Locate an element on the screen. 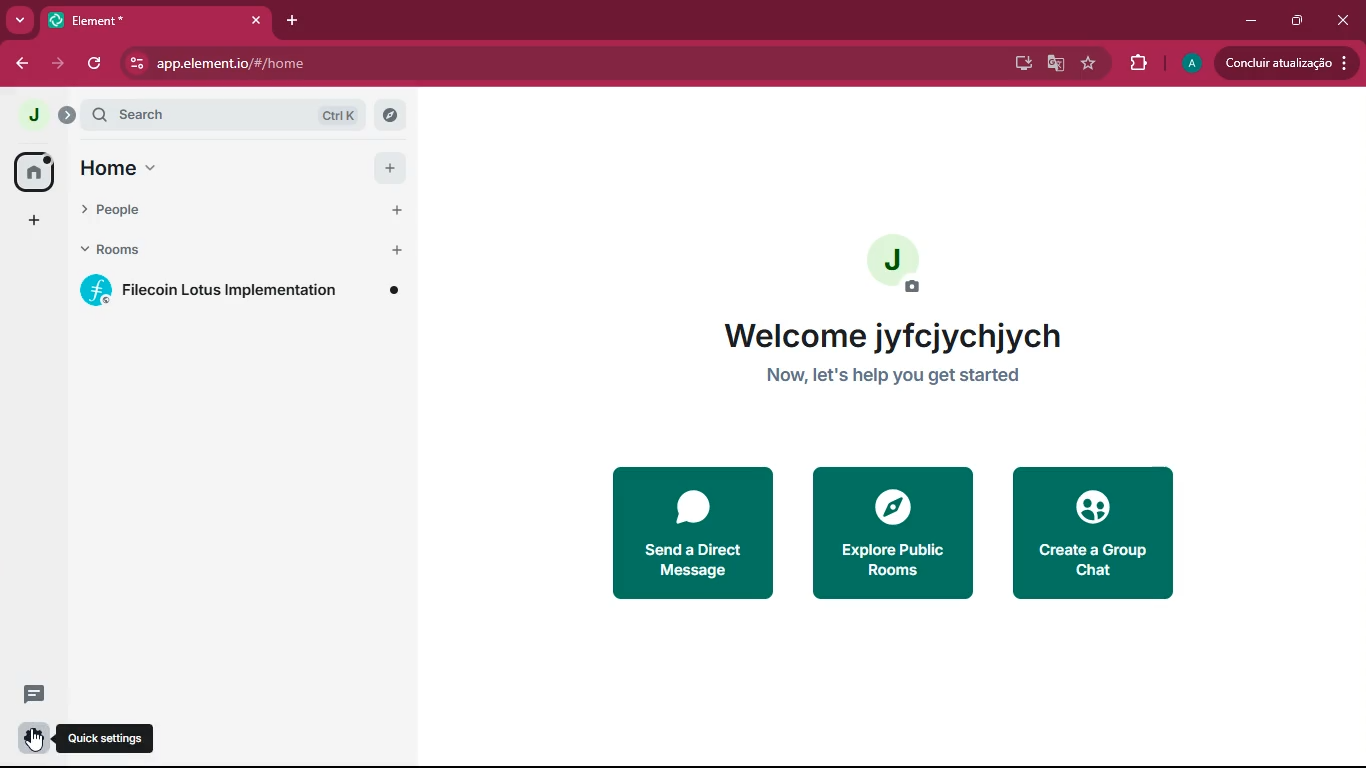  add is located at coordinates (400, 248).